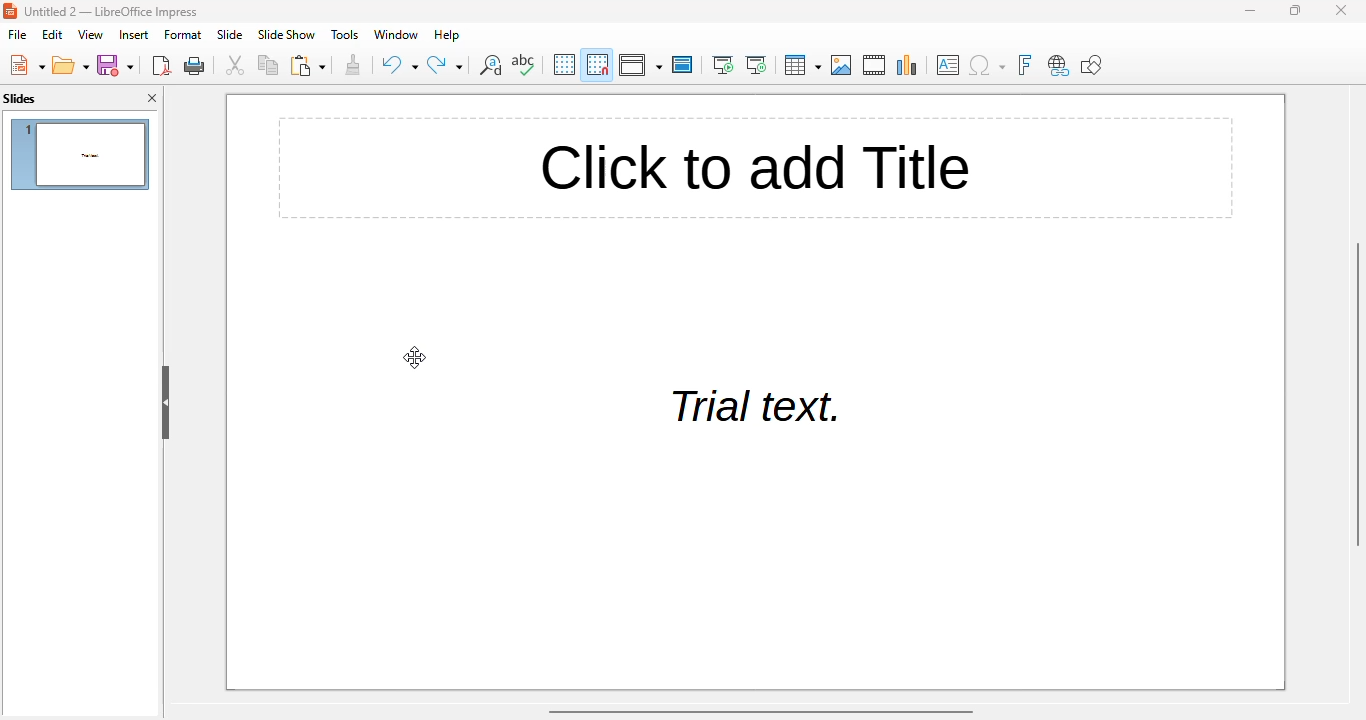  I want to click on new, so click(116, 66).